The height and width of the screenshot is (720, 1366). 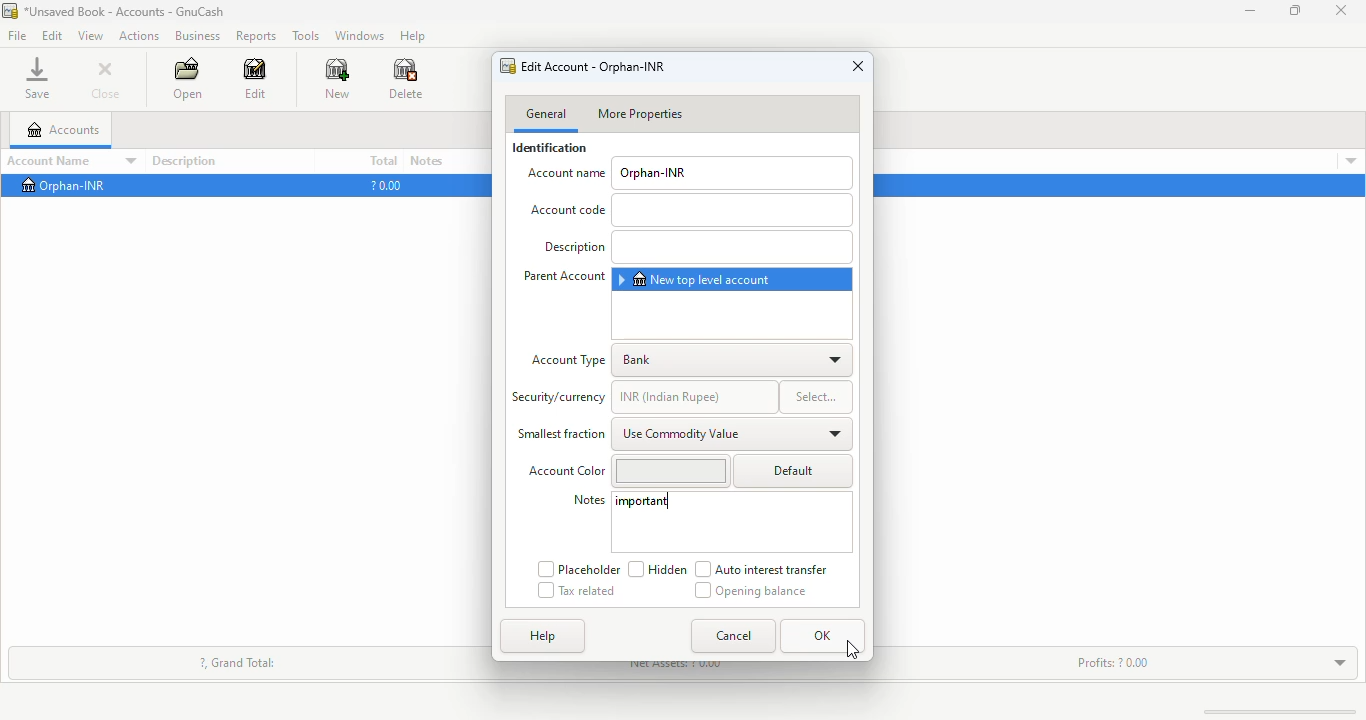 I want to click on description, so click(x=184, y=162).